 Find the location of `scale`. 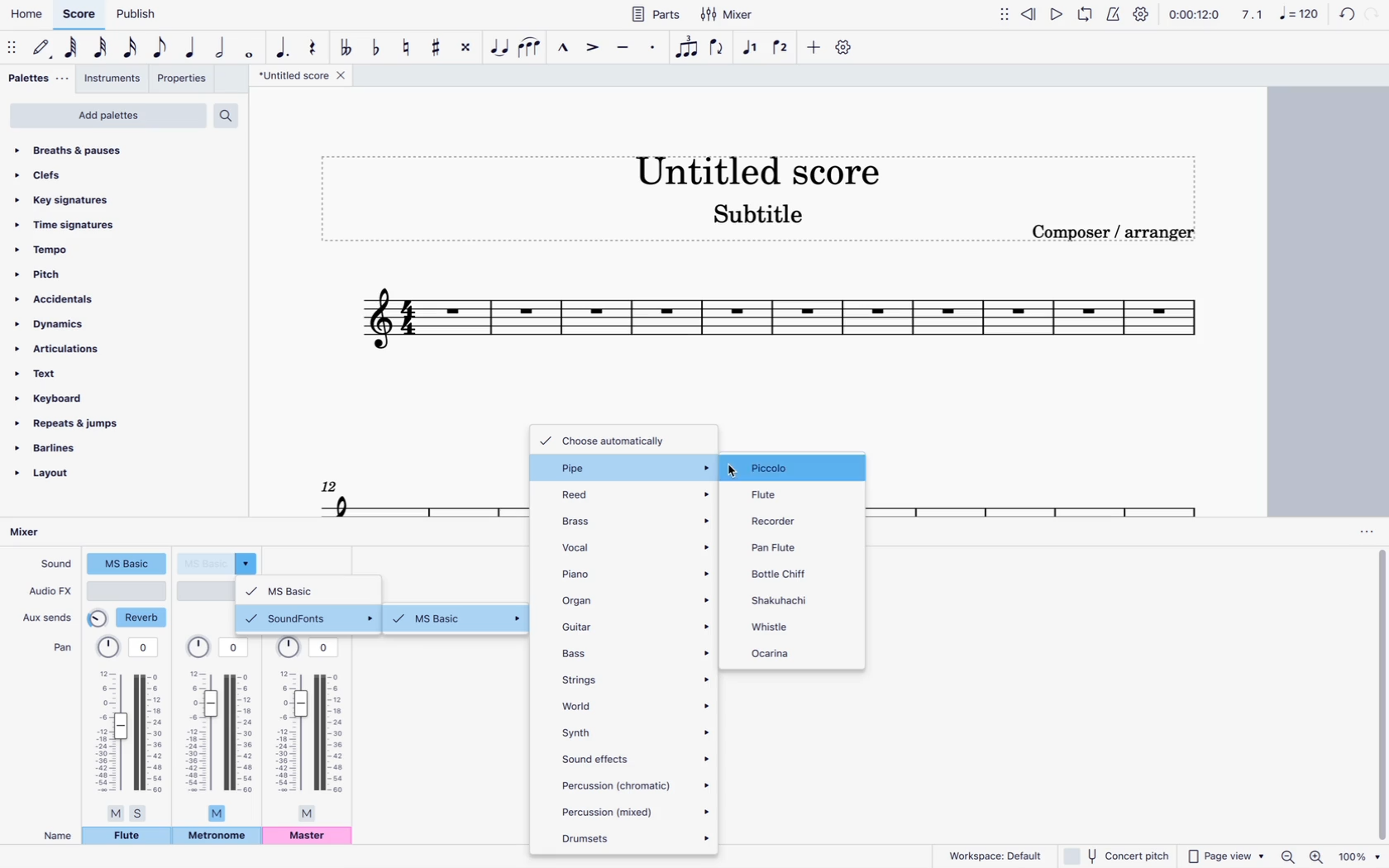

scale is located at coordinates (1277, 17).